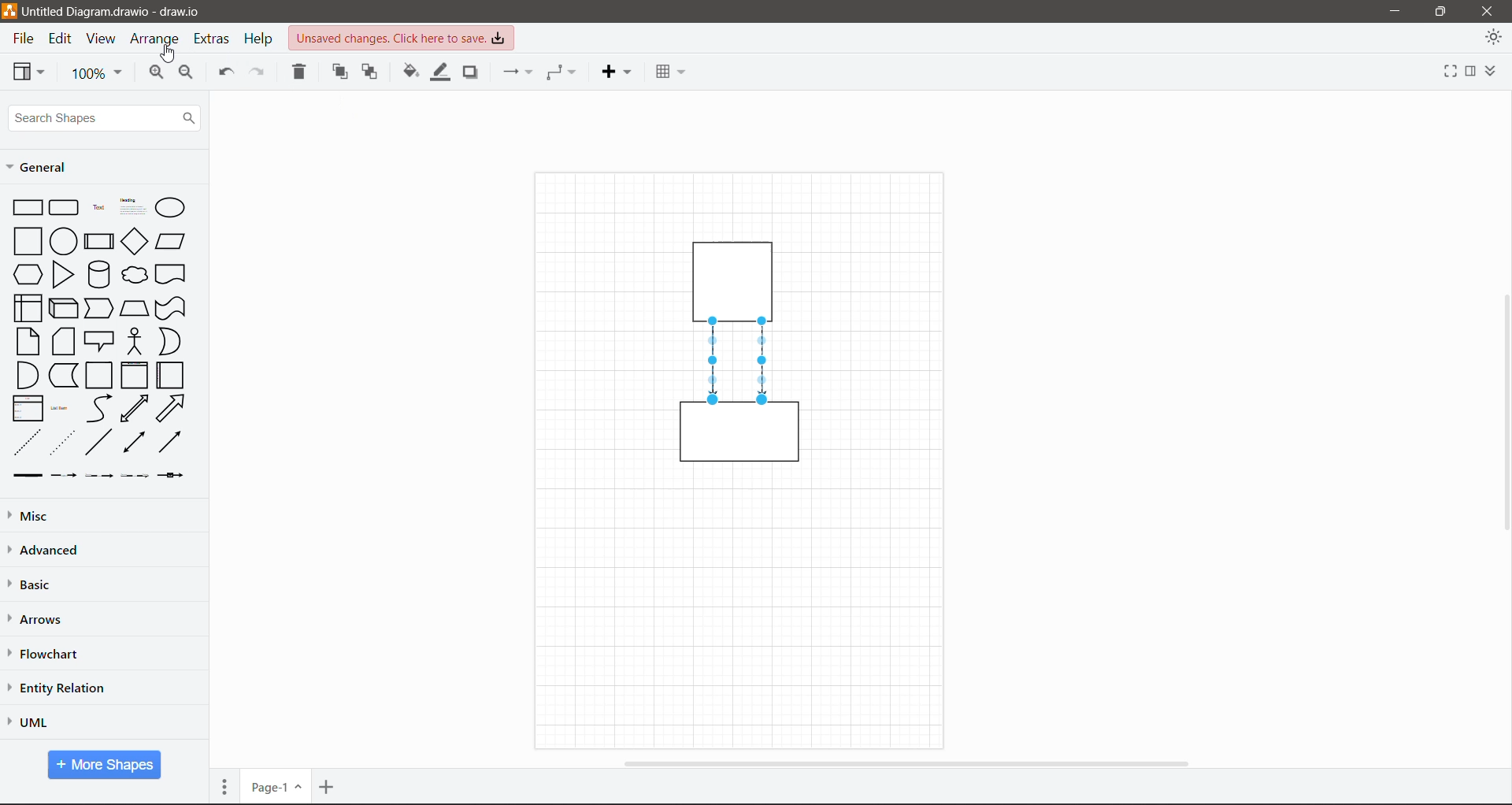 The width and height of the screenshot is (1512, 805). Describe the element at coordinates (25, 407) in the screenshot. I see `List` at that location.